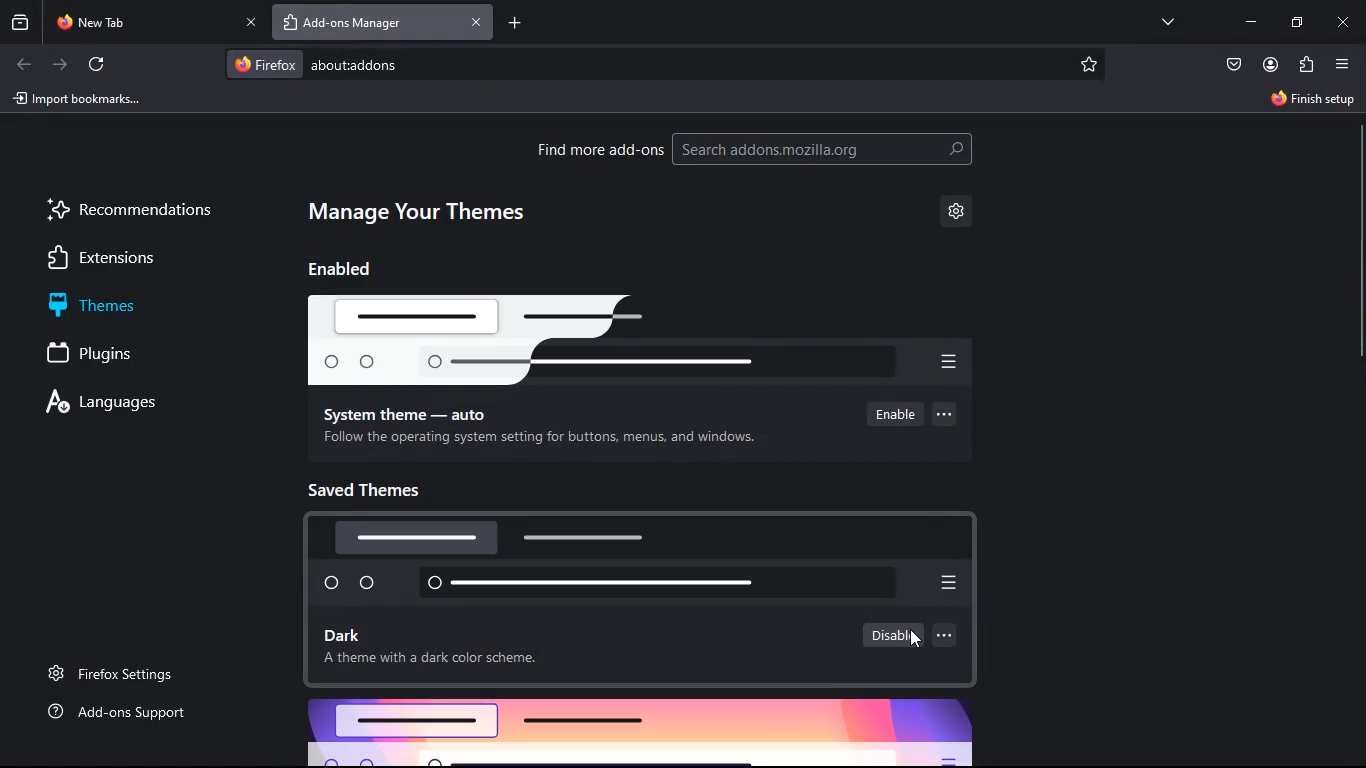 The height and width of the screenshot is (768, 1366). Describe the element at coordinates (915, 639) in the screenshot. I see `cursor` at that location.